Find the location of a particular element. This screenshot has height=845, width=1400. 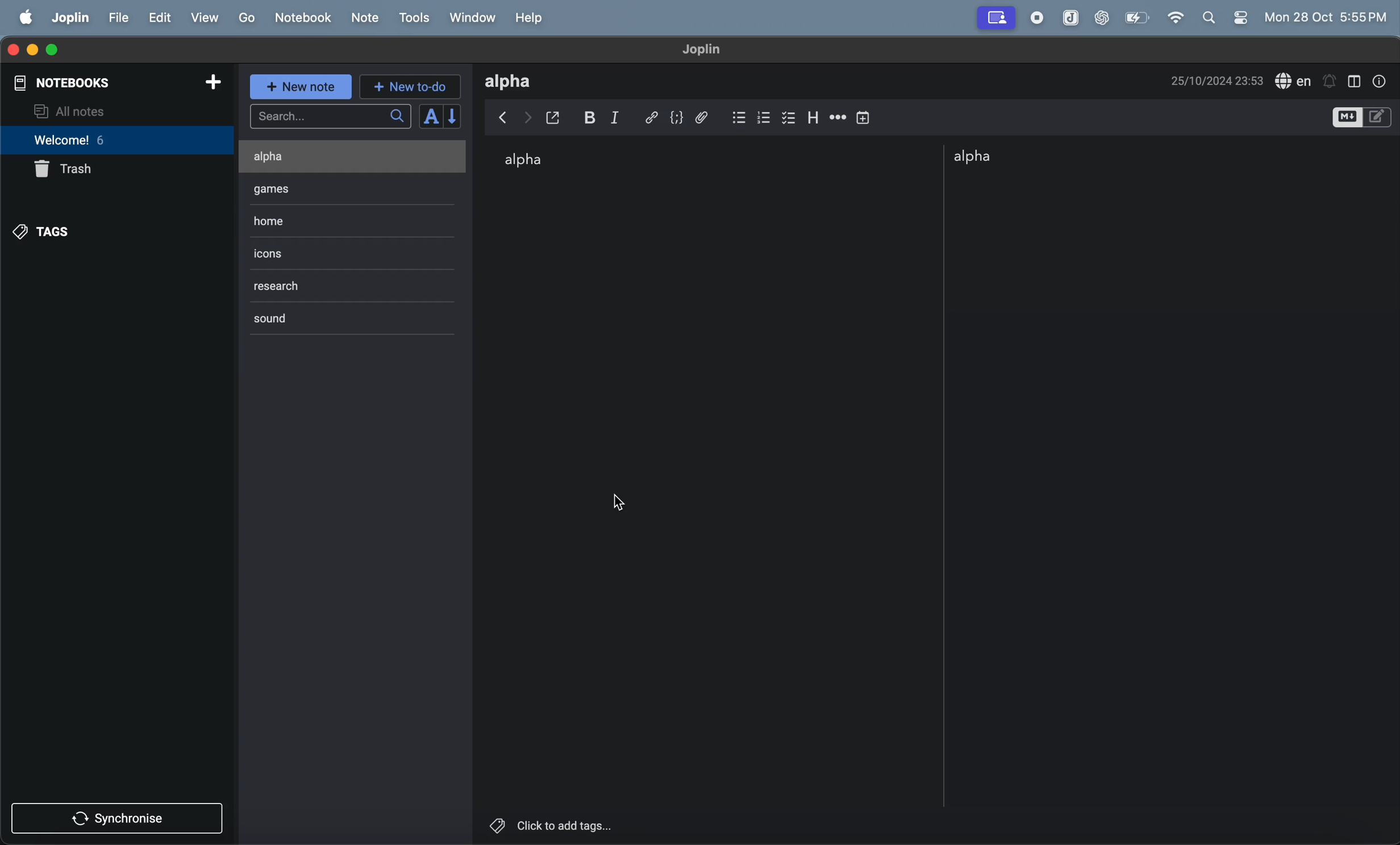

Battery is located at coordinates (1137, 17).